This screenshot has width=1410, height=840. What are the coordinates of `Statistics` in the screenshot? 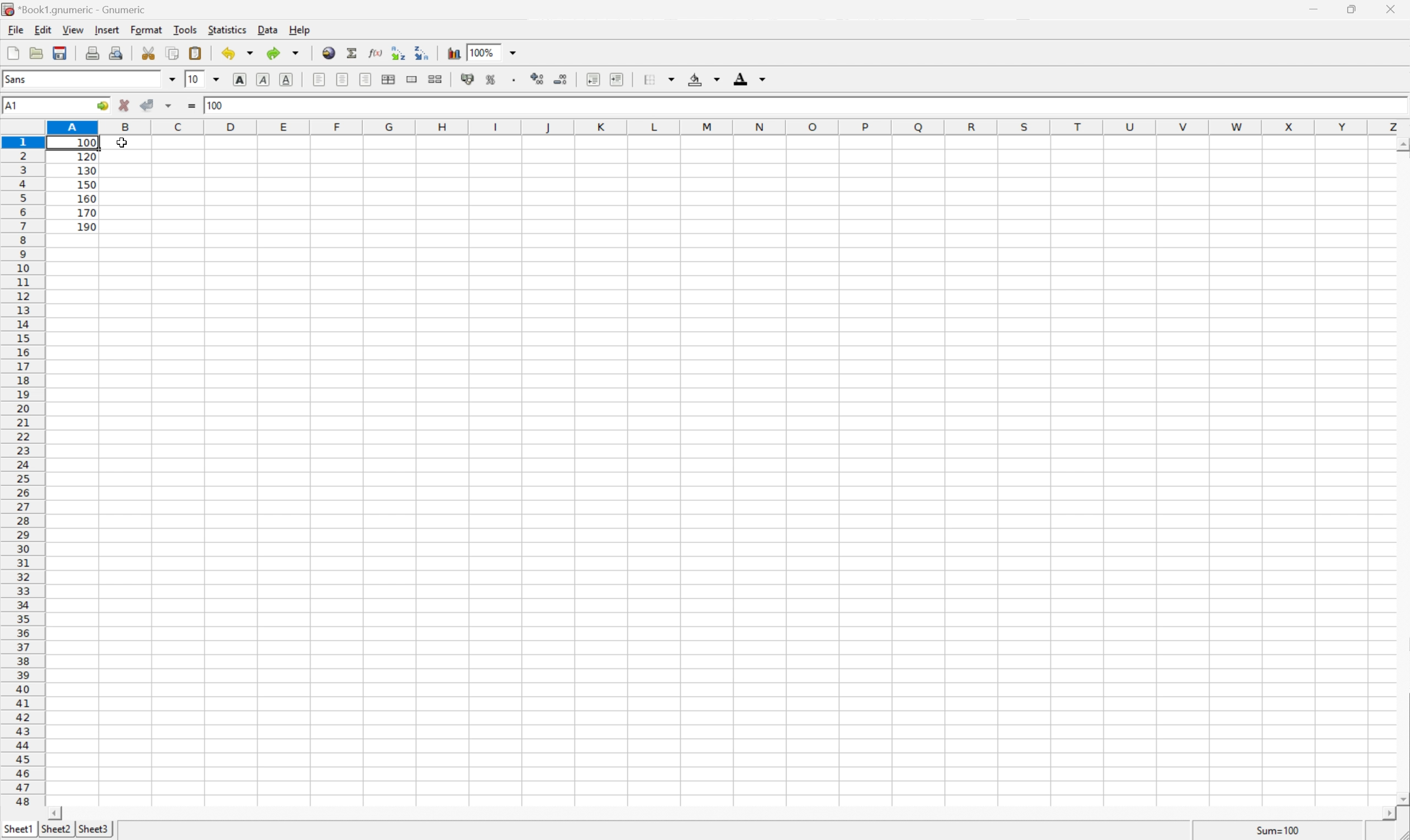 It's located at (228, 29).